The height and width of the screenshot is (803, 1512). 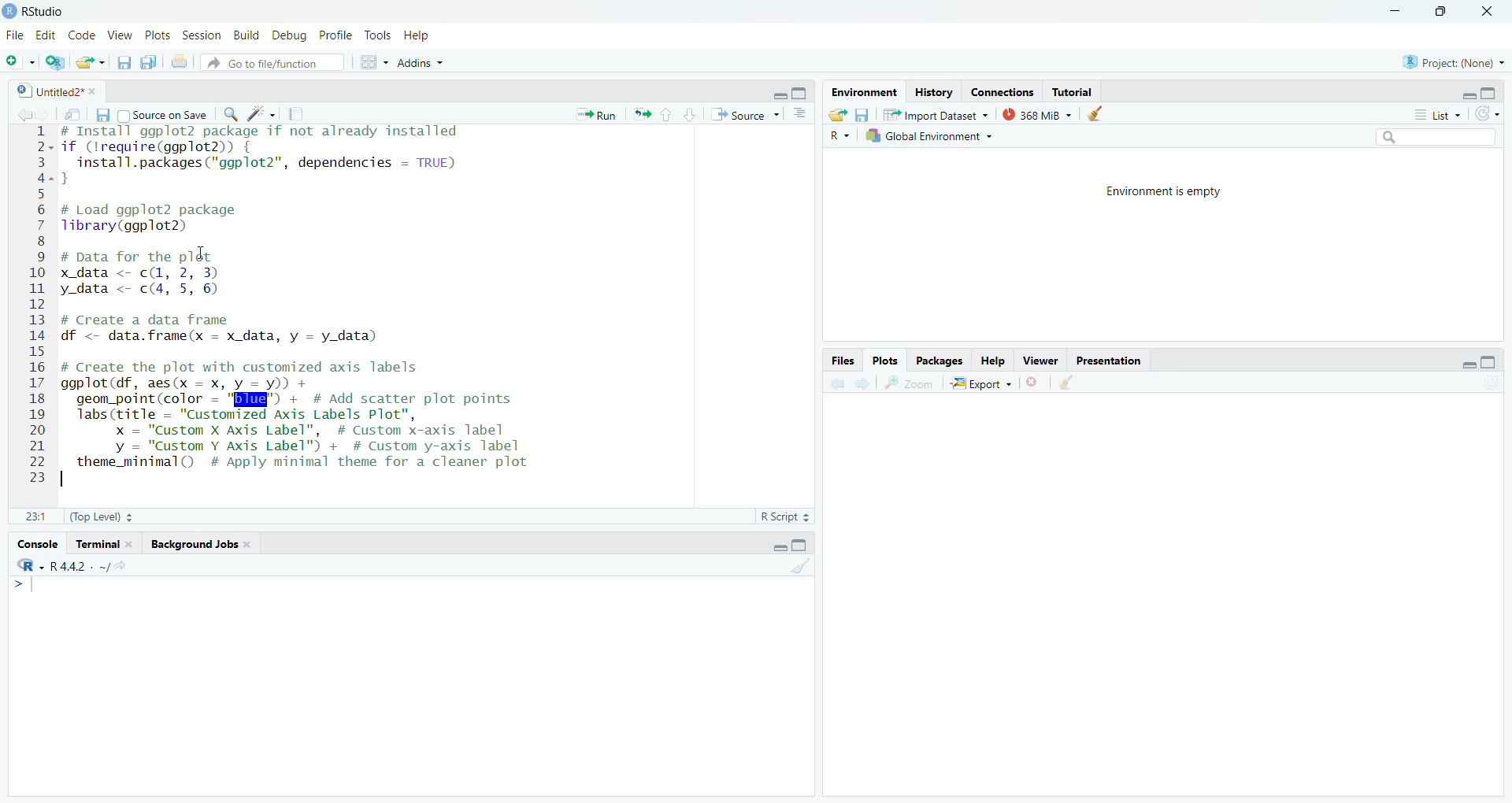 I want to click on clear, so click(x=1069, y=385).